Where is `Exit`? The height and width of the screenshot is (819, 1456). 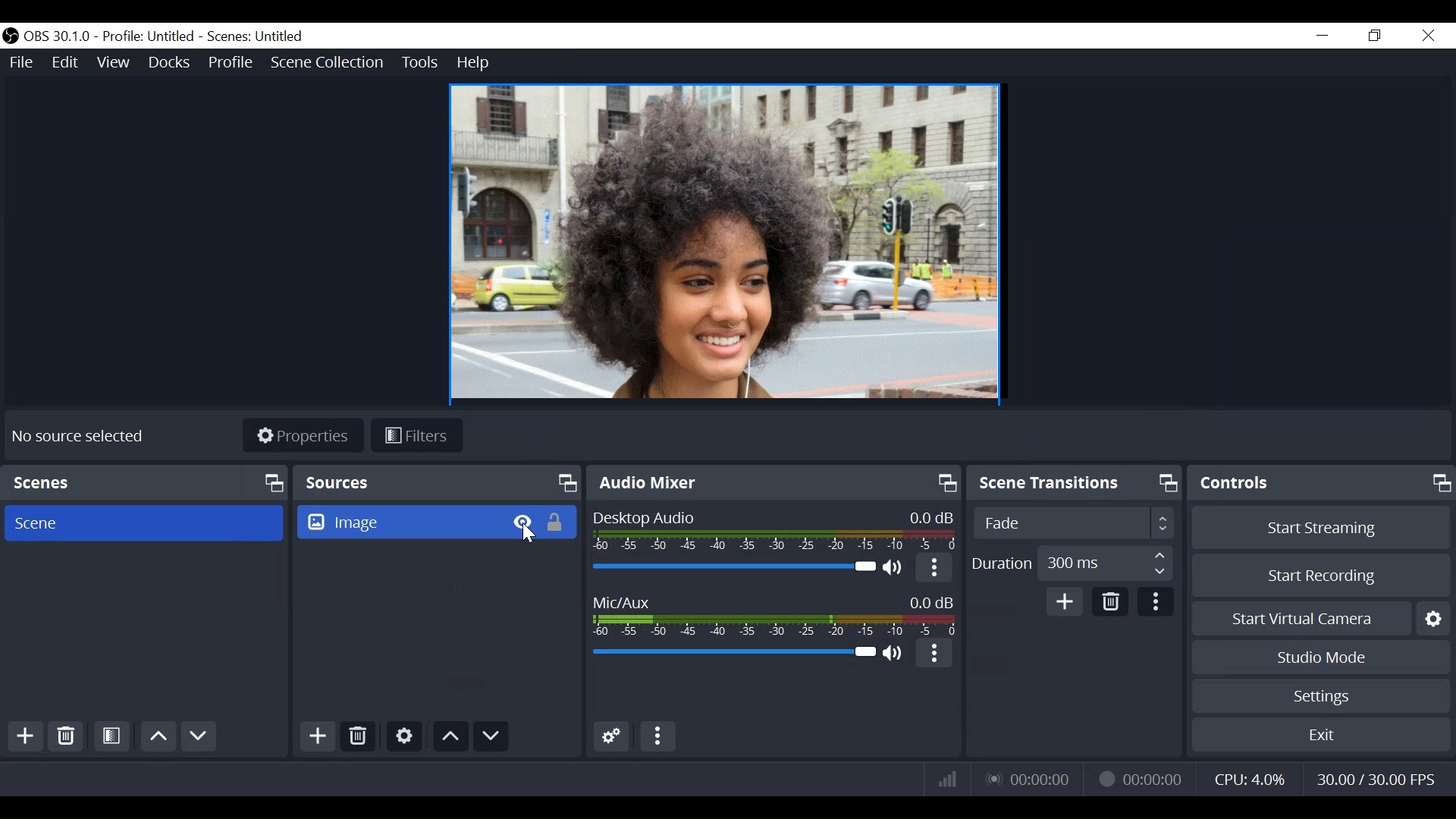
Exit is located at coordinates (1321, 738).